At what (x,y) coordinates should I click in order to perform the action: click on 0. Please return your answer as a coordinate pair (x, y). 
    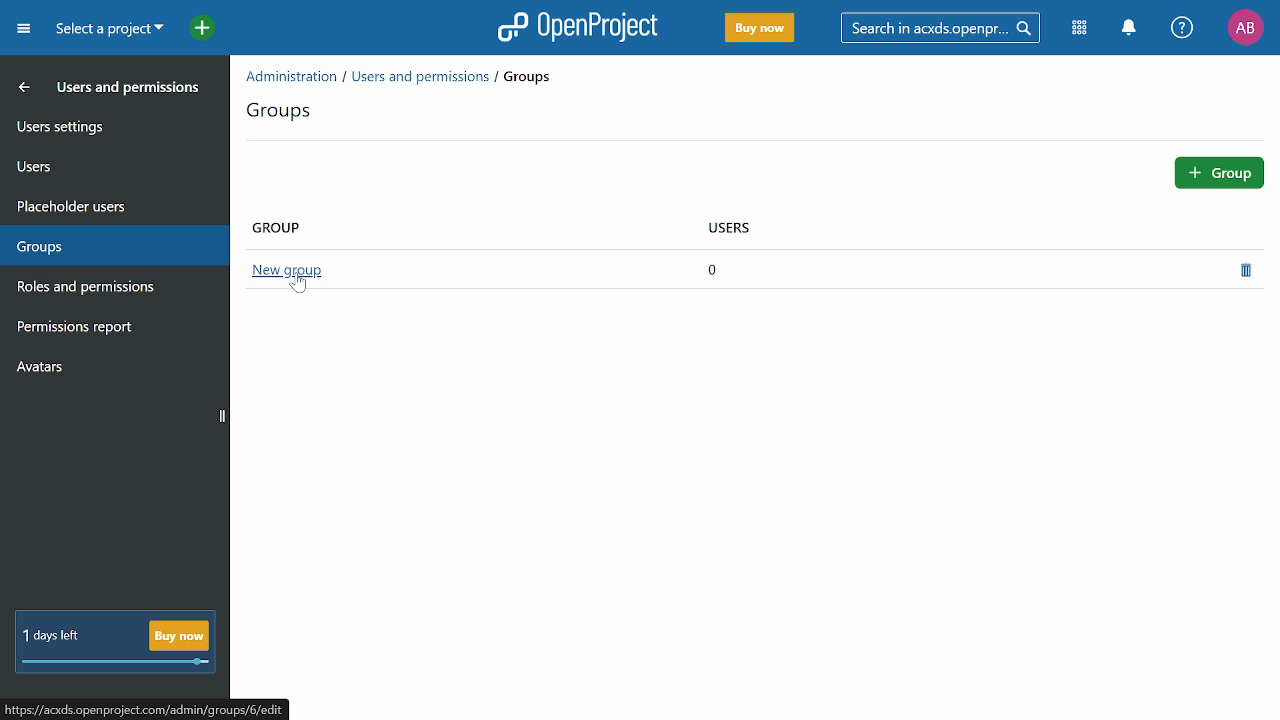
    Looking at the image, I should click on (715, 269).